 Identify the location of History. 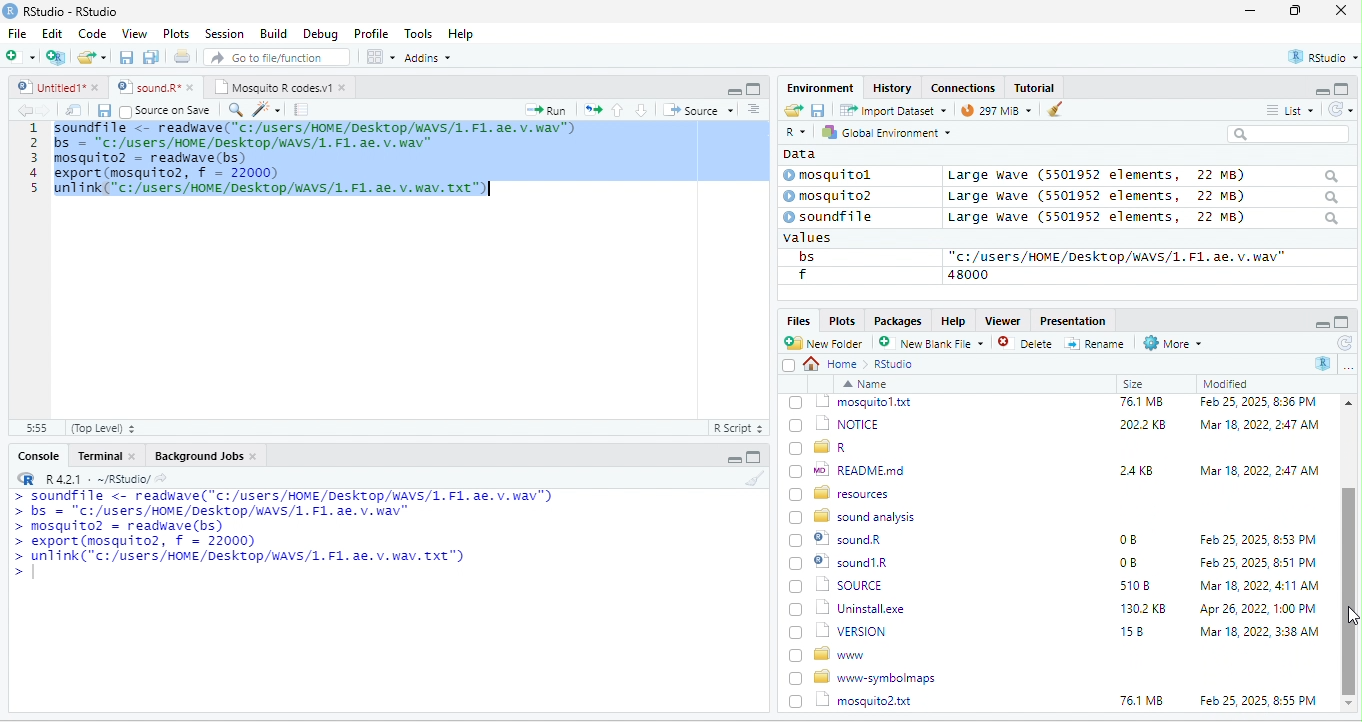
(893, 87).